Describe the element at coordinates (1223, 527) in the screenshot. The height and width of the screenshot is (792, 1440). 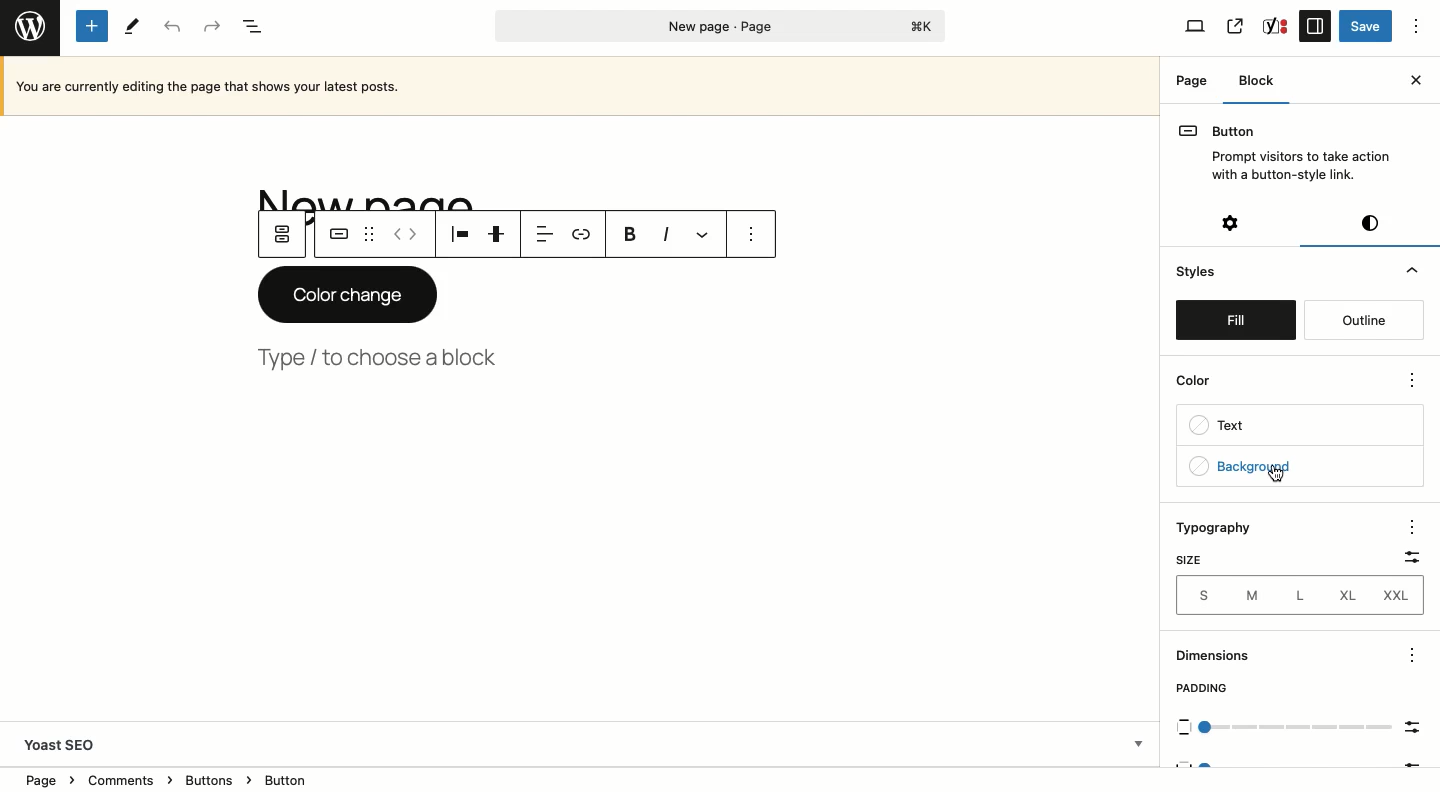
I see `Typography` at that location.